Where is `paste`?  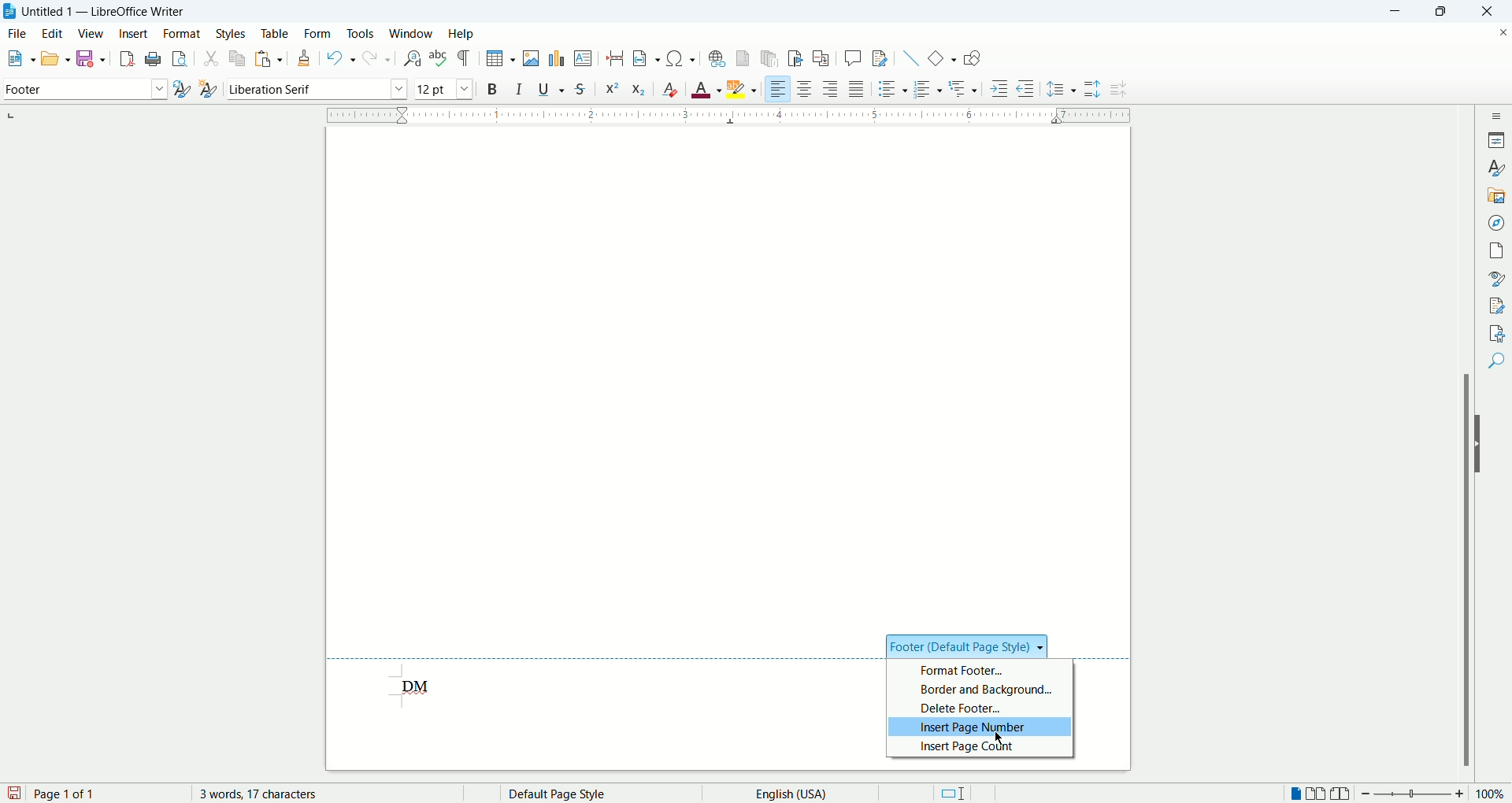
paste is located at coordinates (270, 56).